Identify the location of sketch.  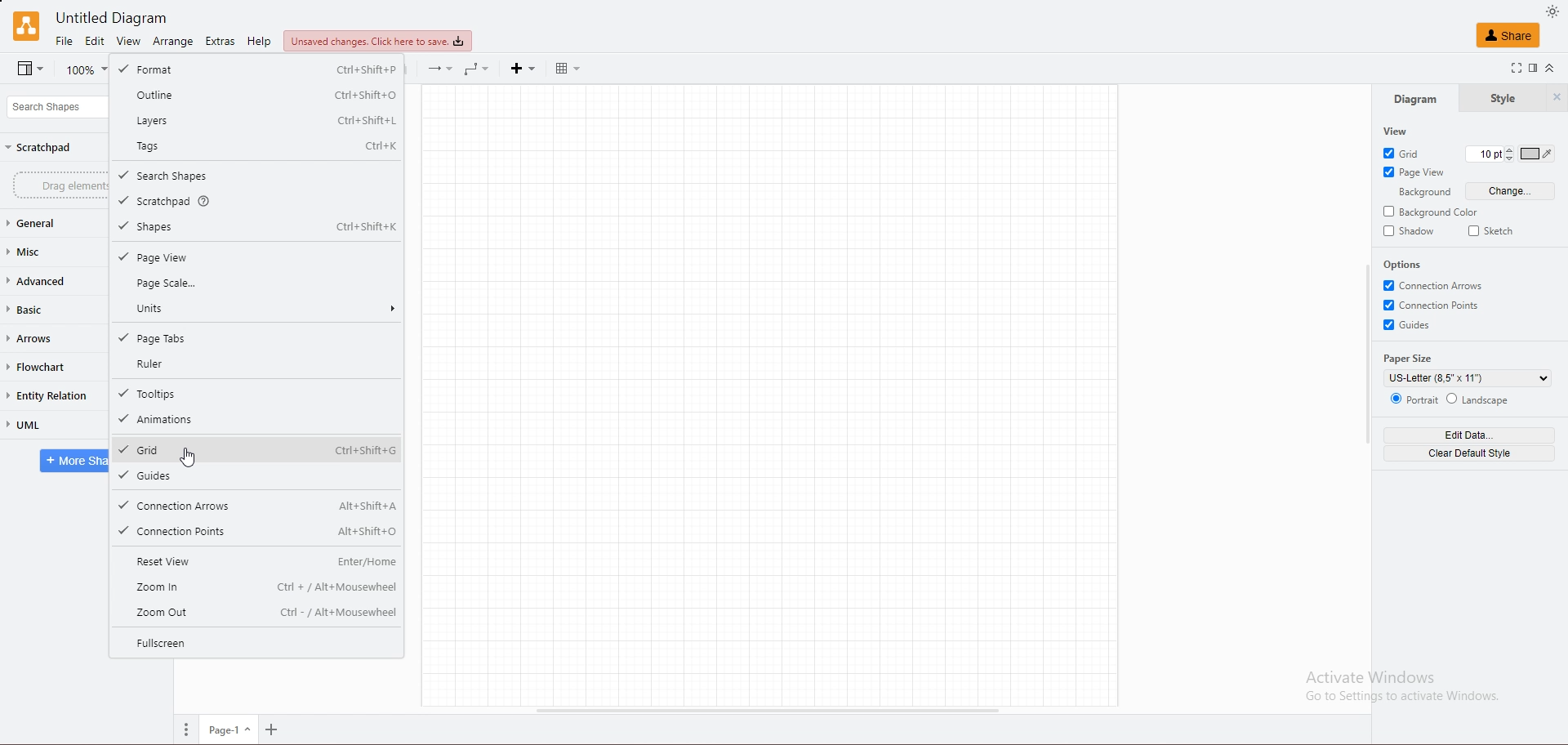
(1491, 230).